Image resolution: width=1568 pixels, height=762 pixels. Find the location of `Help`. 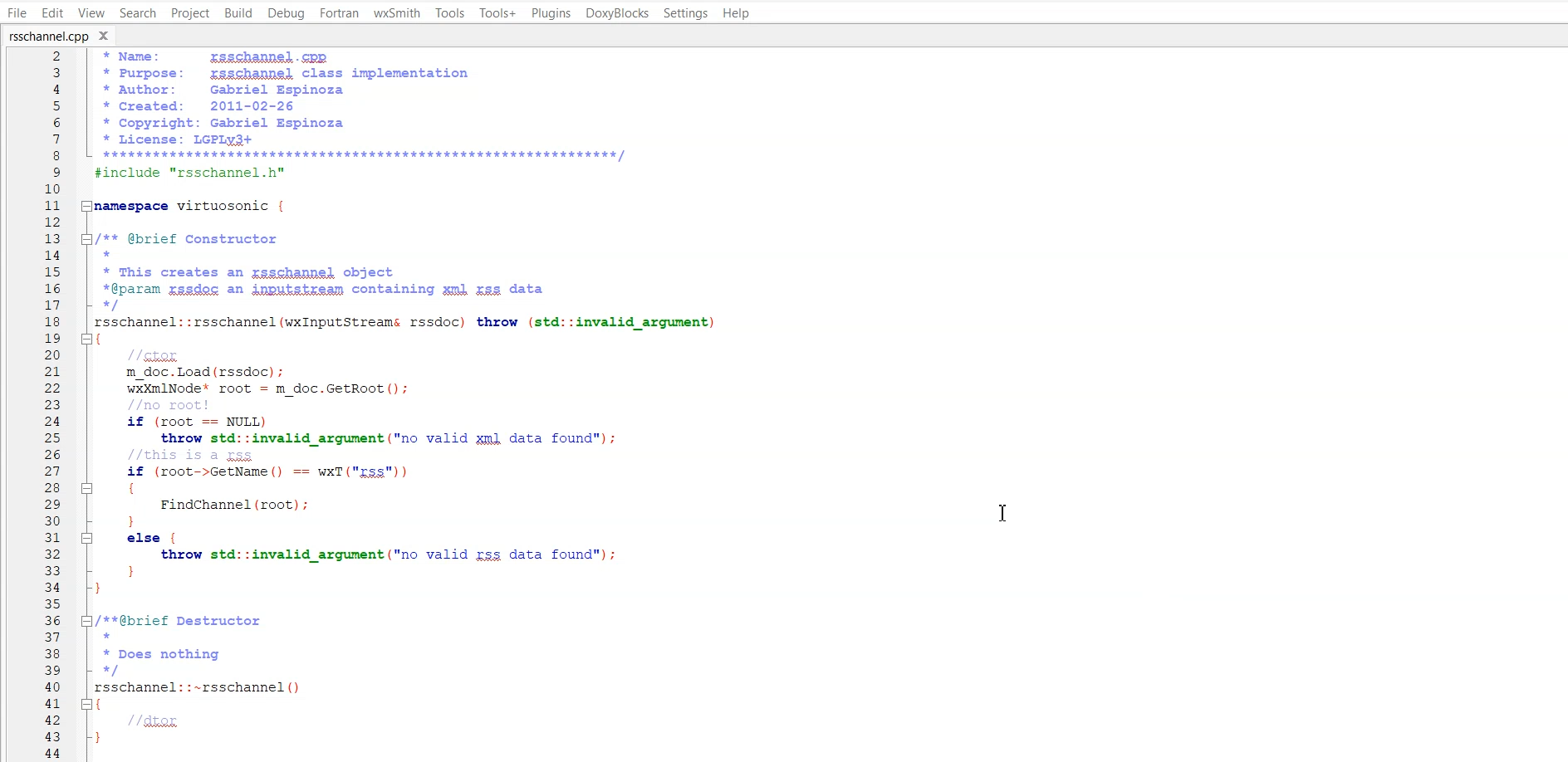

Help is located at coordinates (737, 13).